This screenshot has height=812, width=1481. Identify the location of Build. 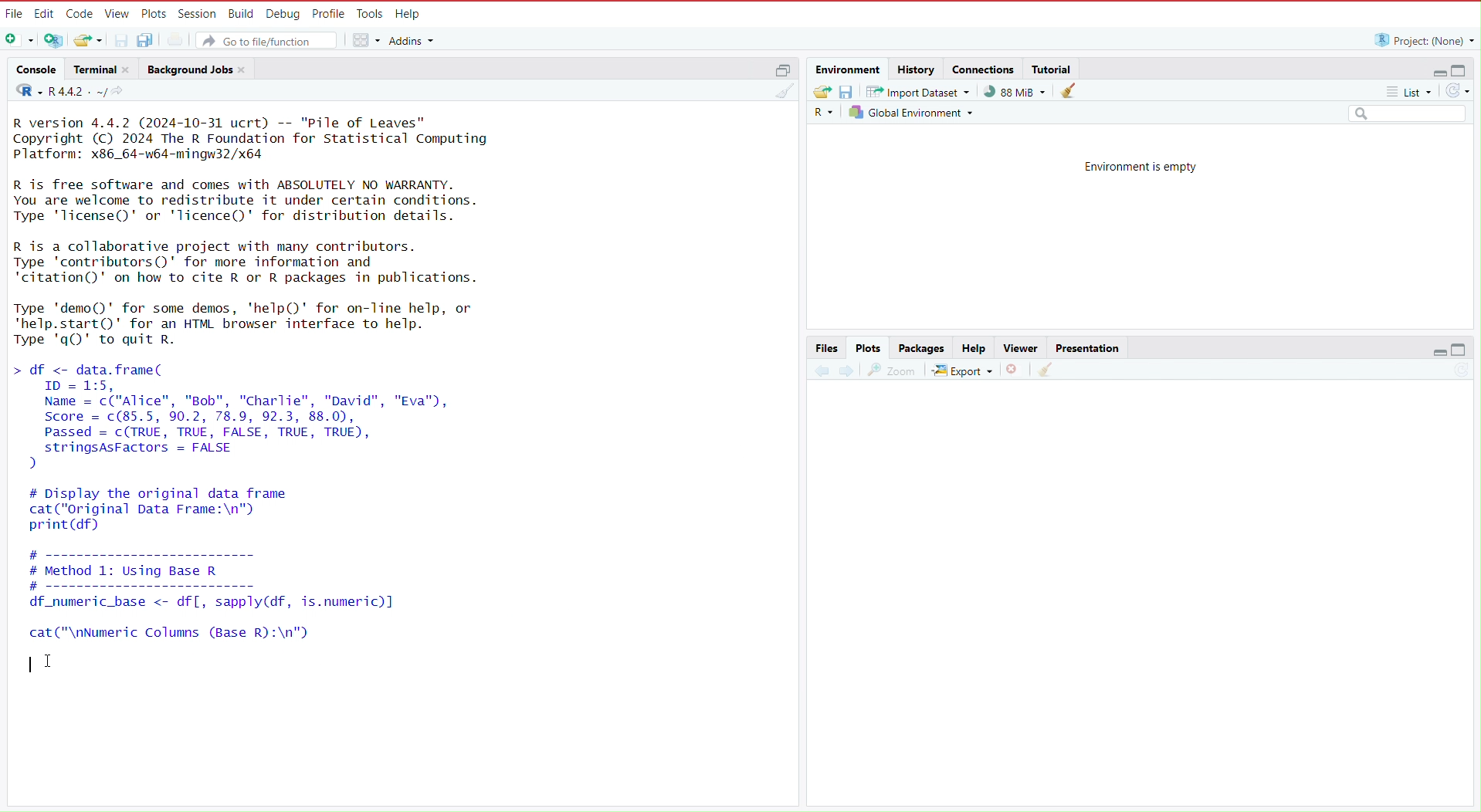
(240, 12).